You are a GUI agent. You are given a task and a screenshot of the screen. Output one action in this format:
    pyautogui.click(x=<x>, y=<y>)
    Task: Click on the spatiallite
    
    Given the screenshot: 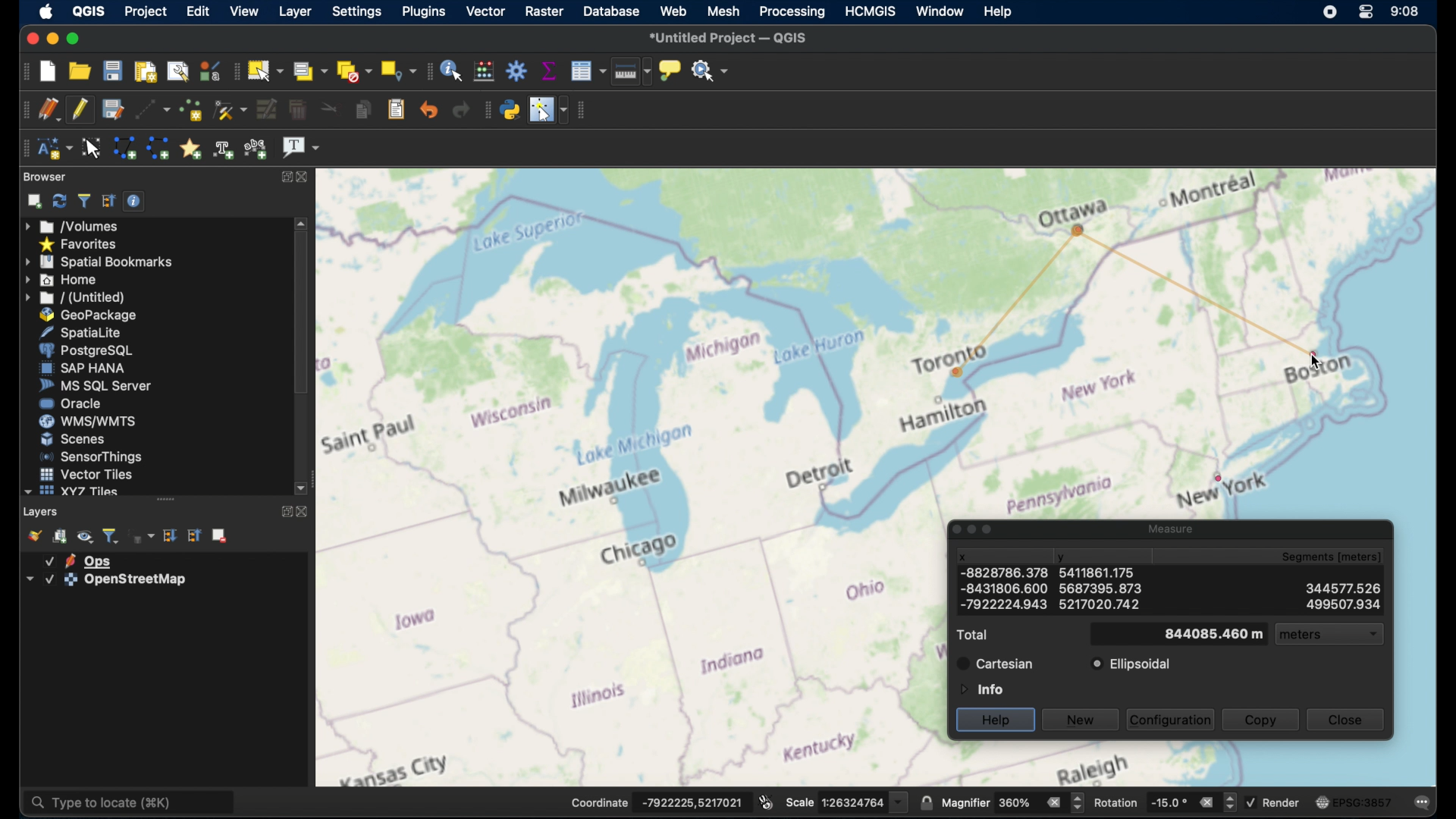 What is the action you would take?
    pyautogui.click(x=93, y=331)
    